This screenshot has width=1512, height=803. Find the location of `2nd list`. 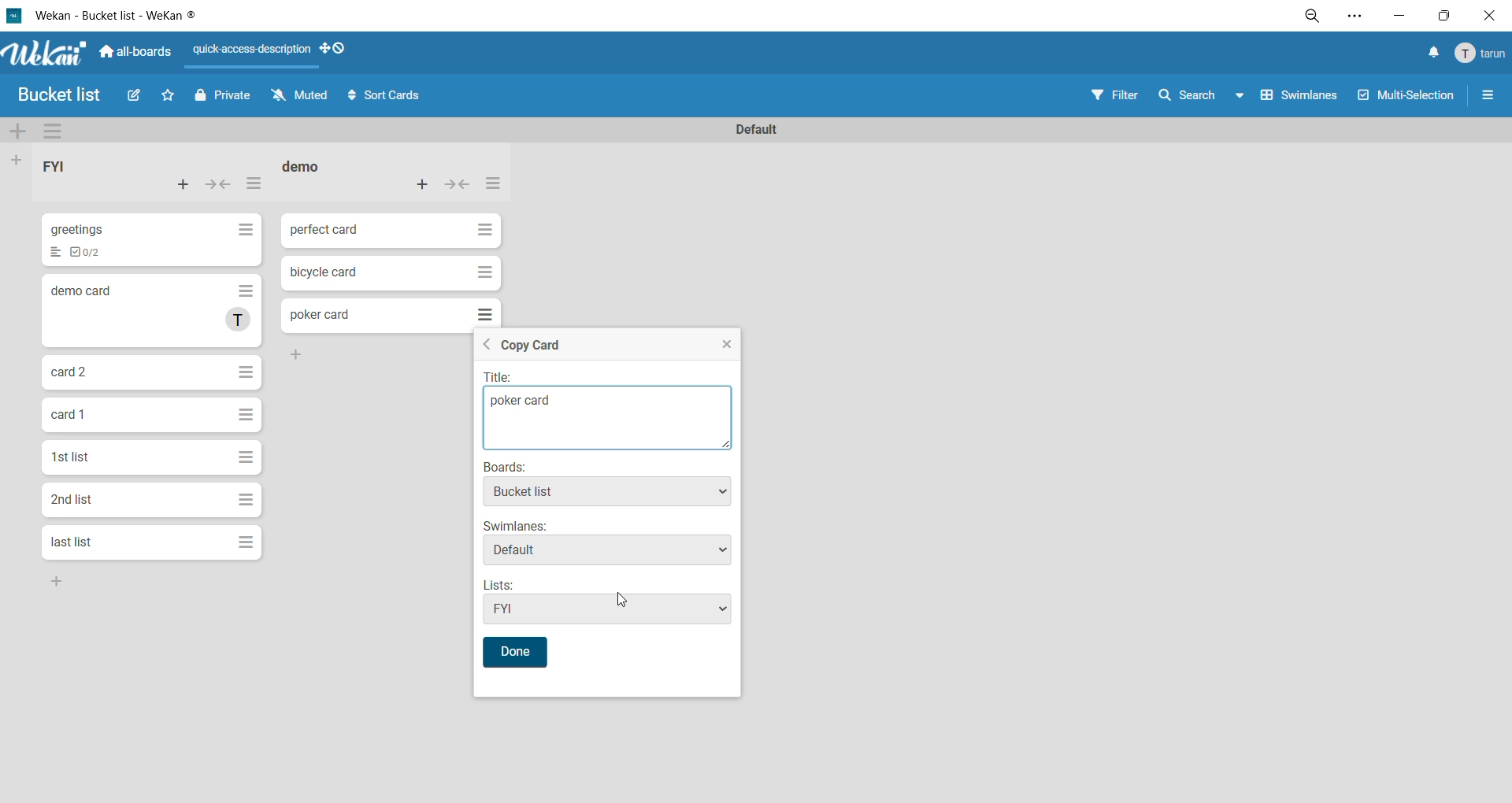

2nd list is located at coordinates (76, 498).